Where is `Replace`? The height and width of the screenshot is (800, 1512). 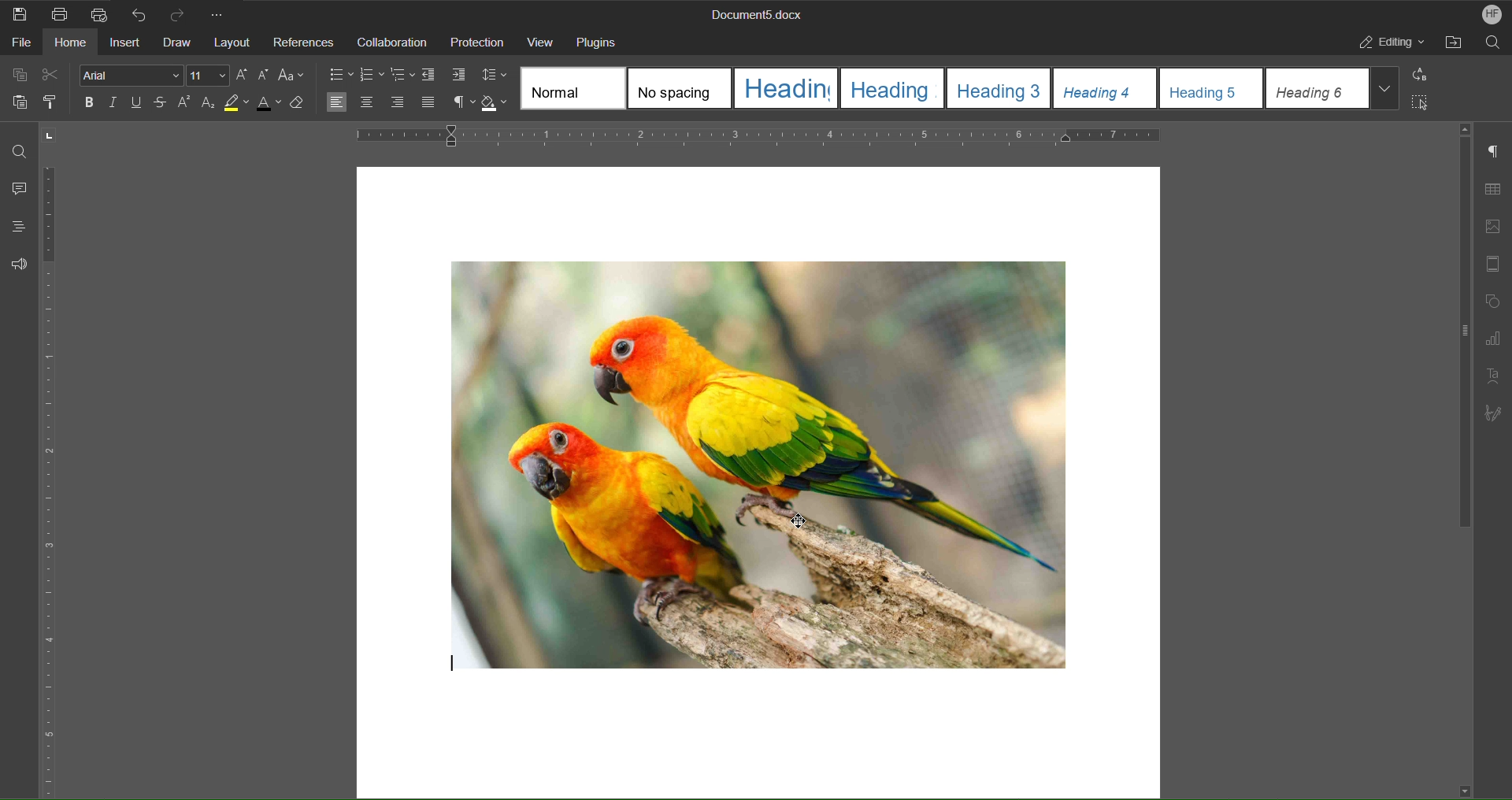
Replace is located at coordinates (1425, 76).